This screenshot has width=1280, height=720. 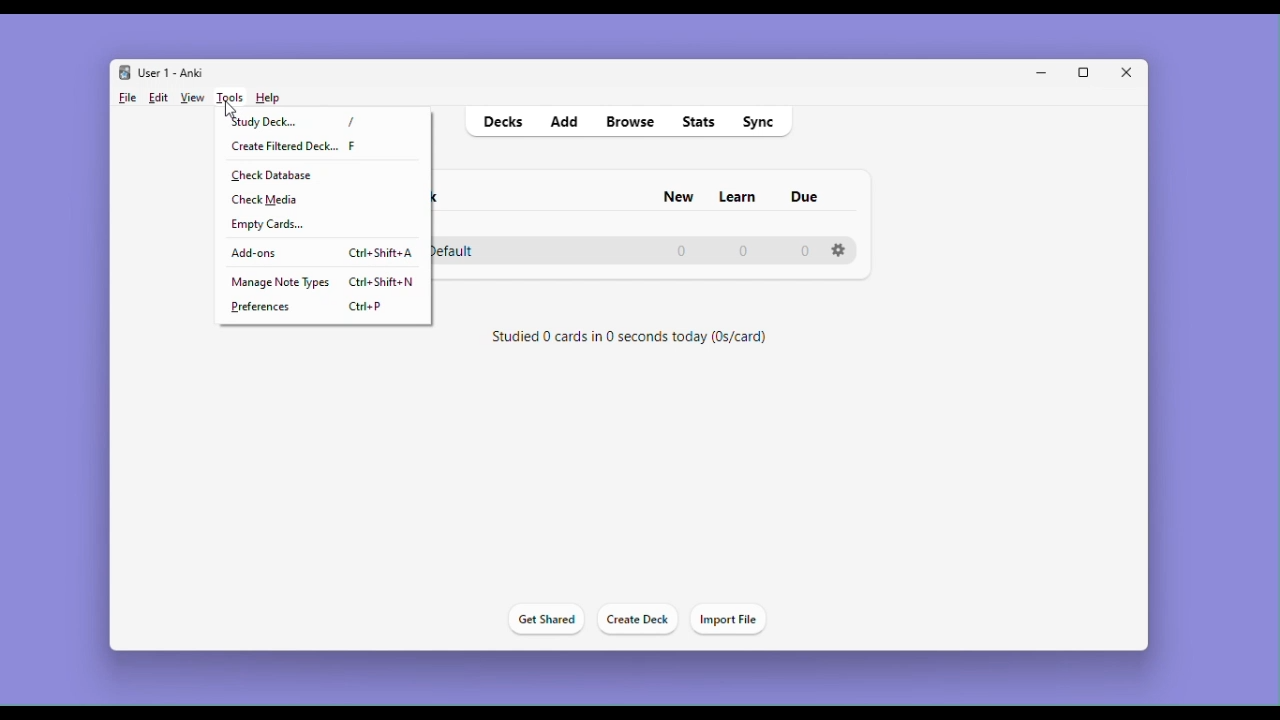 What do you see at coordinates (634, 122) in the screenshot?
I see `Browse` at bounding box center [634, 122].